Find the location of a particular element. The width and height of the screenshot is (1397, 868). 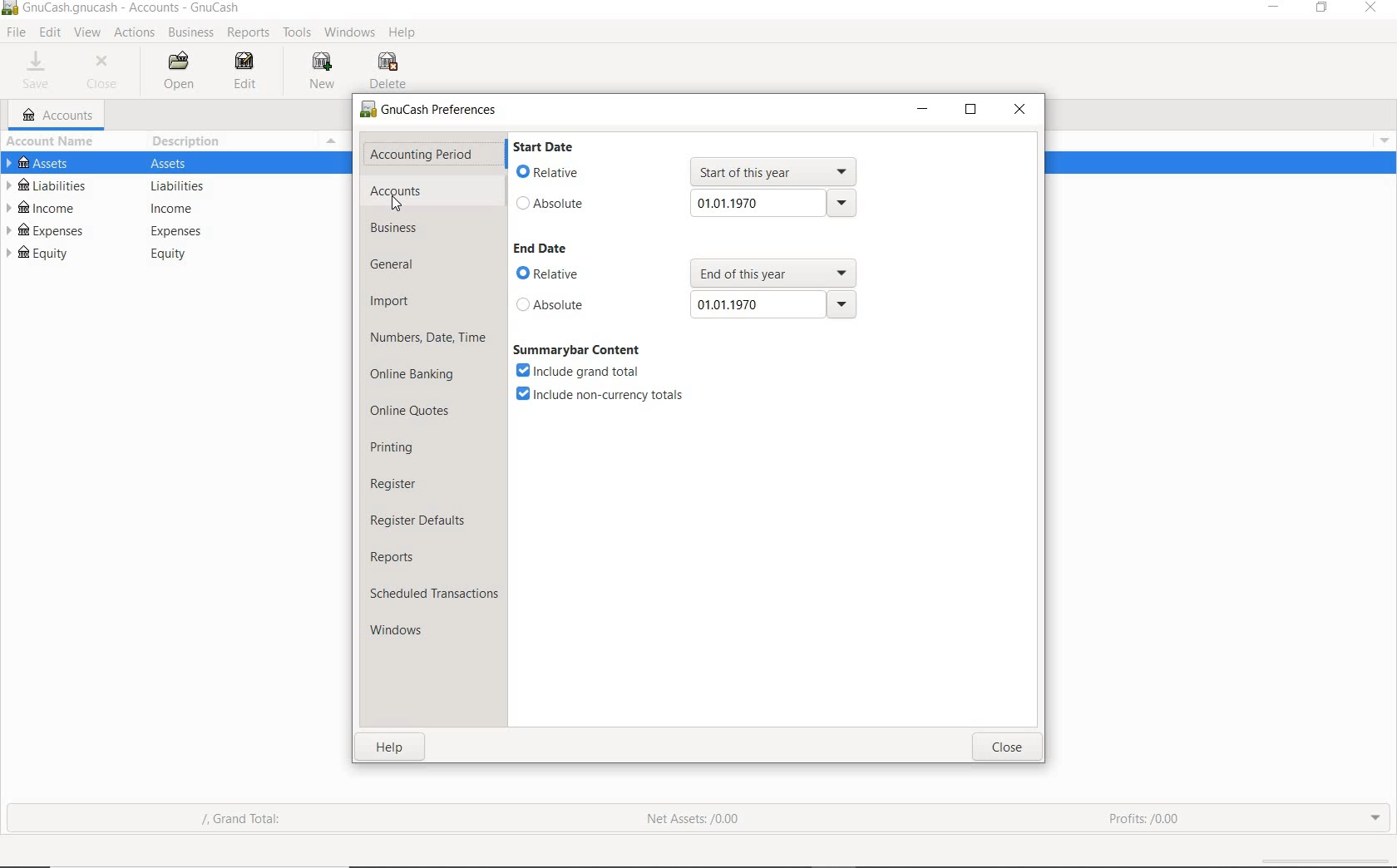

system name is located at coordinates (132, 9).